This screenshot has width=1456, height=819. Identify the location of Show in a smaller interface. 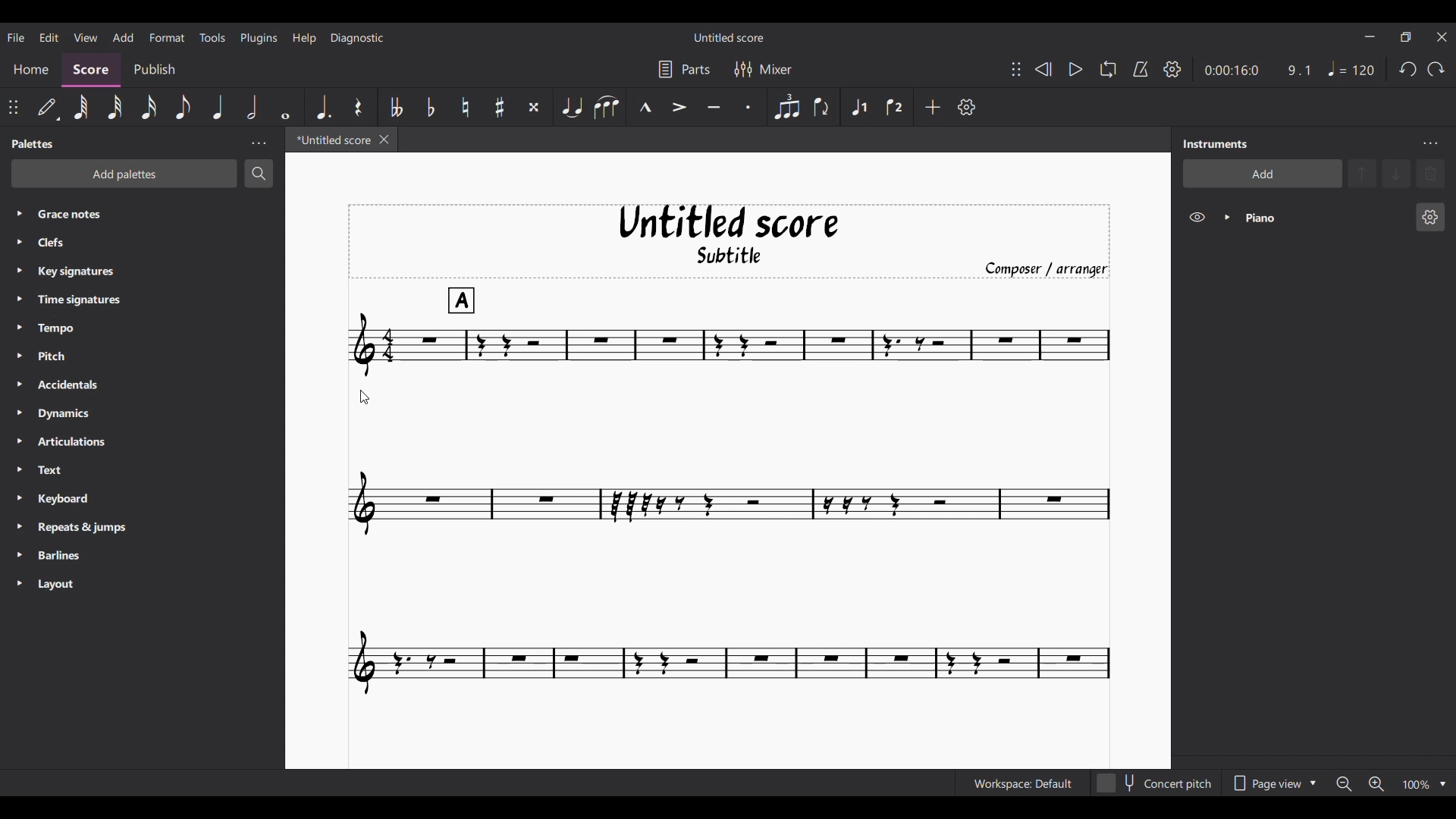
(1405, 37).